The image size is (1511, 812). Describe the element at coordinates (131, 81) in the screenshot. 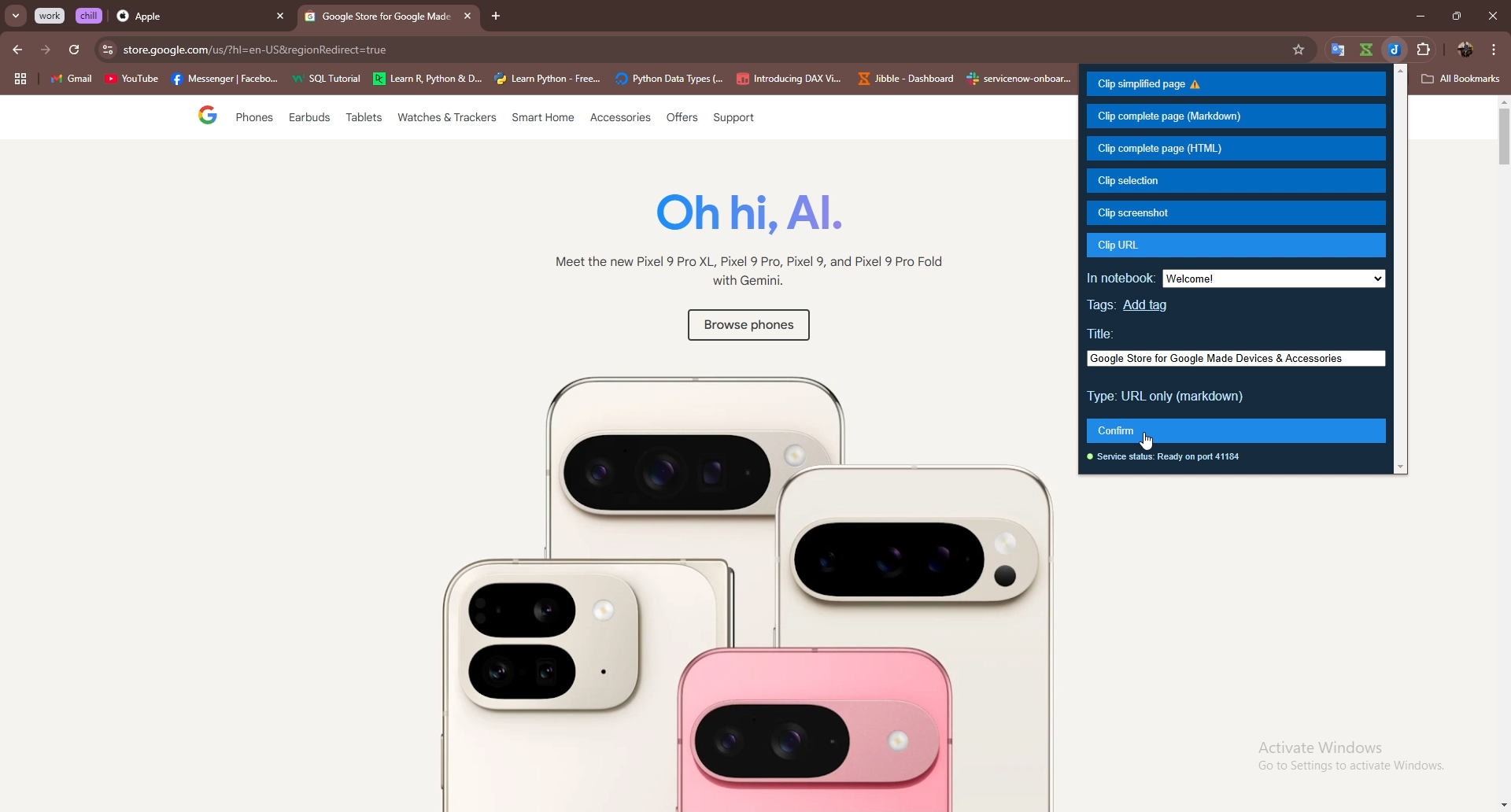

I see `YouTube` at that location.